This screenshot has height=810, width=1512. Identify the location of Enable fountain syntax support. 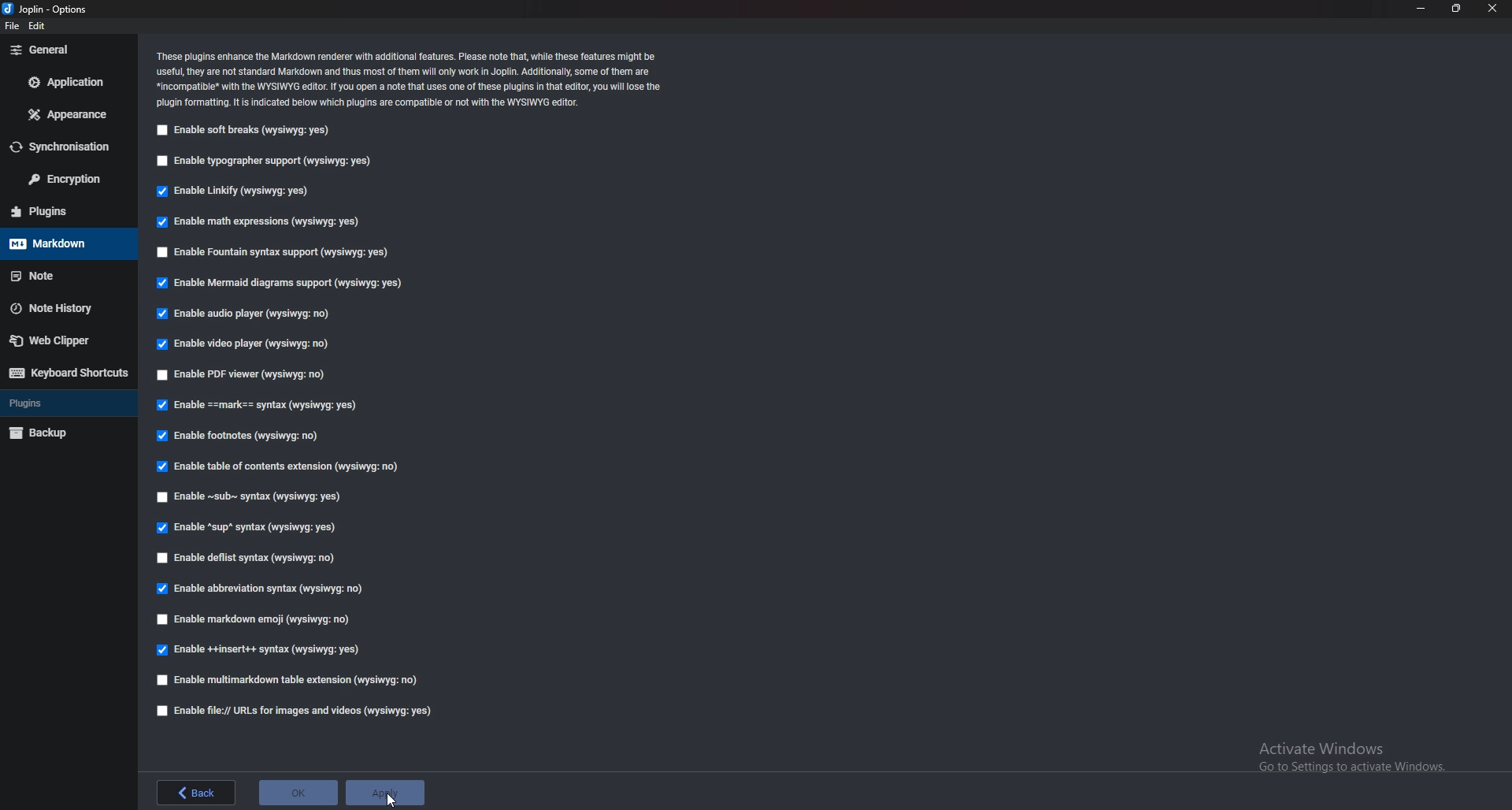
(272, 251).